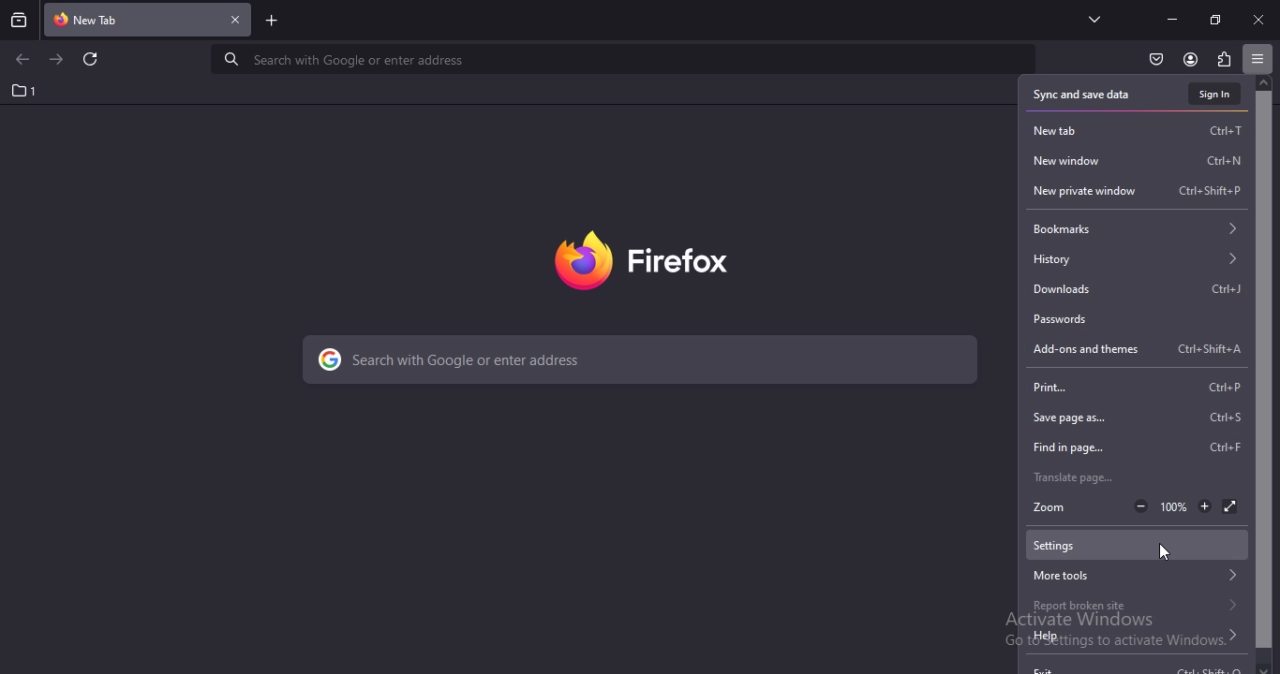 The image size is (1280, 674). I want to click on go back one page, so click(26, 60).